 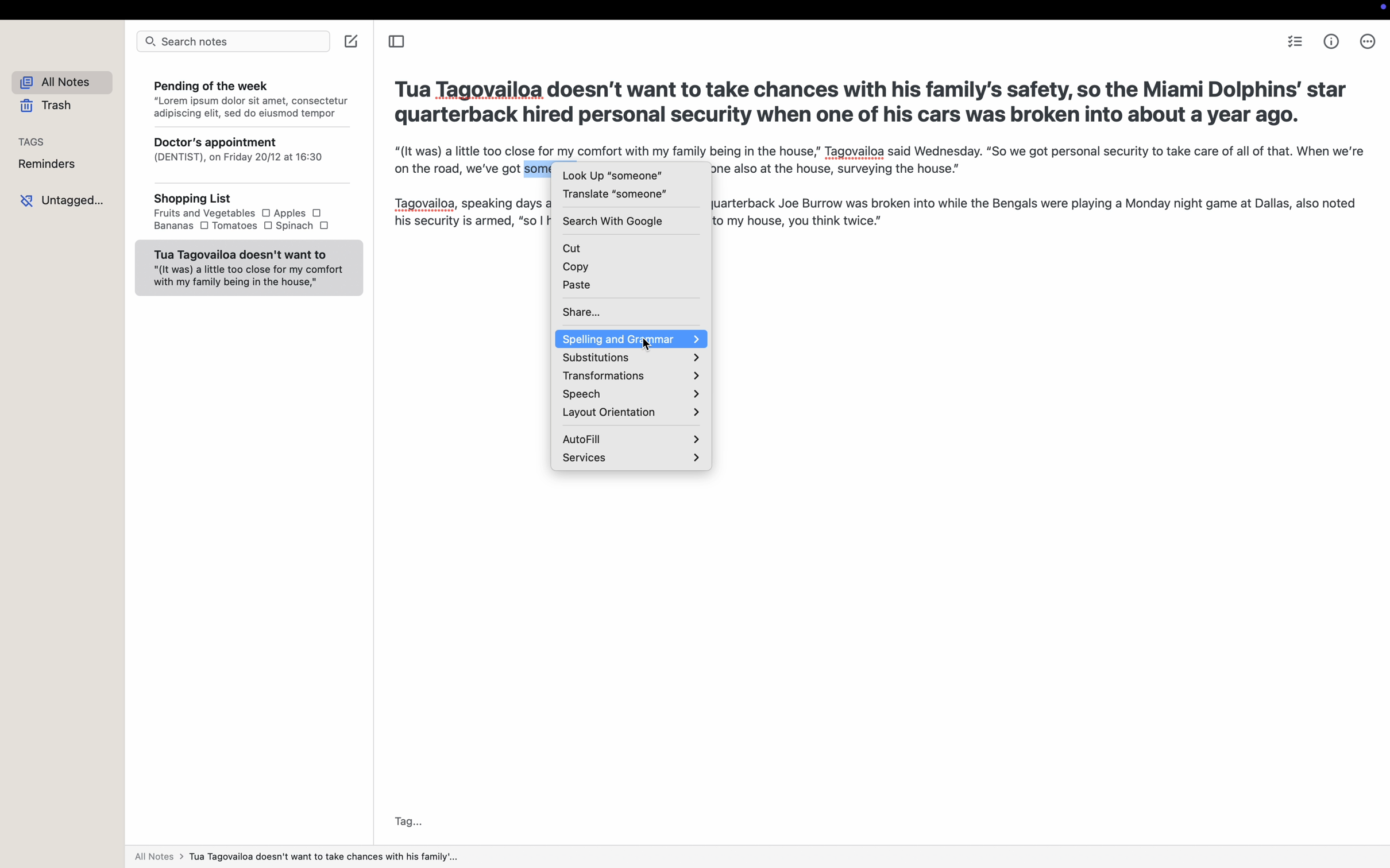 I want to click on transformations, so click(x=629, y=377).